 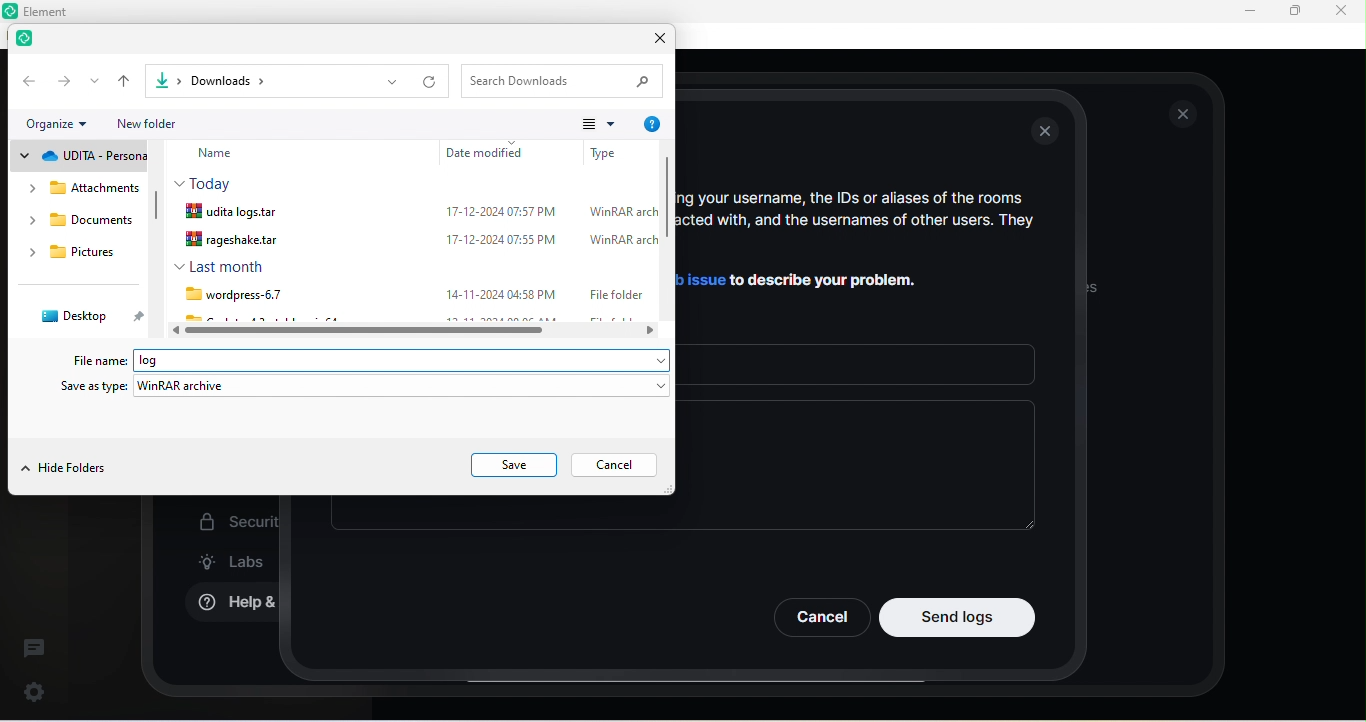 I want to click on drop down, so click(x=95, y=81).